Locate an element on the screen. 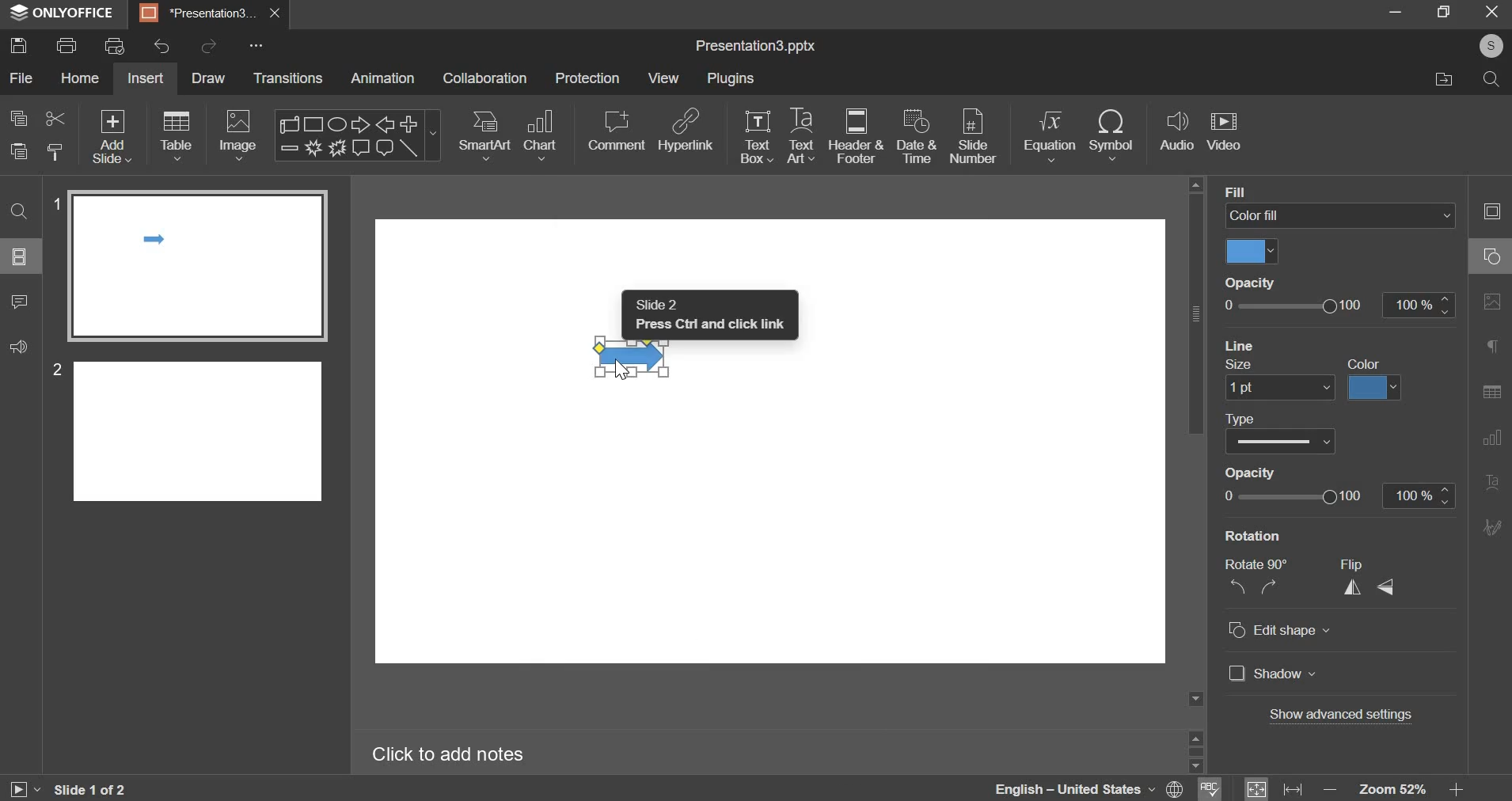 The height and width of the screenshot is (801, 1512). audio is located at coordinates (1178, 131).